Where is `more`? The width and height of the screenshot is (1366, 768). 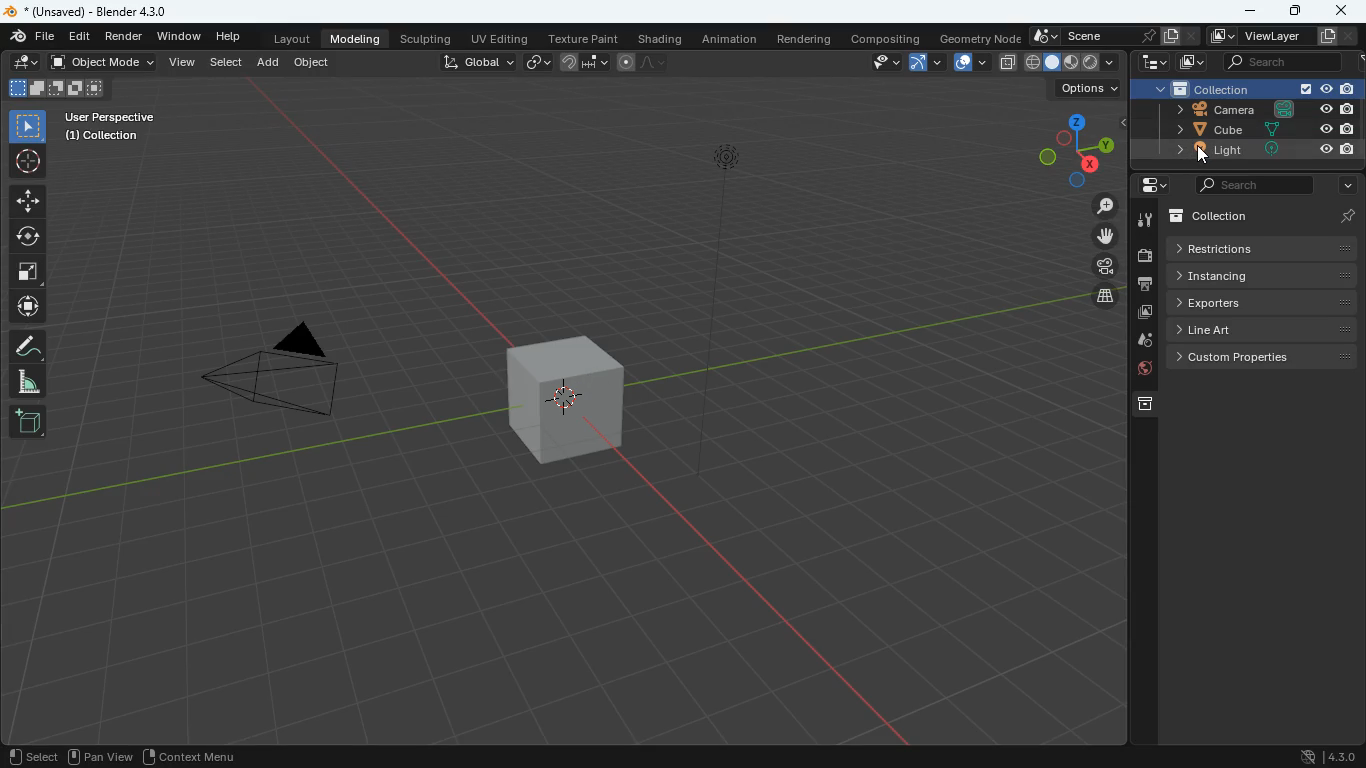
more is located at coordinates (1343, 184).